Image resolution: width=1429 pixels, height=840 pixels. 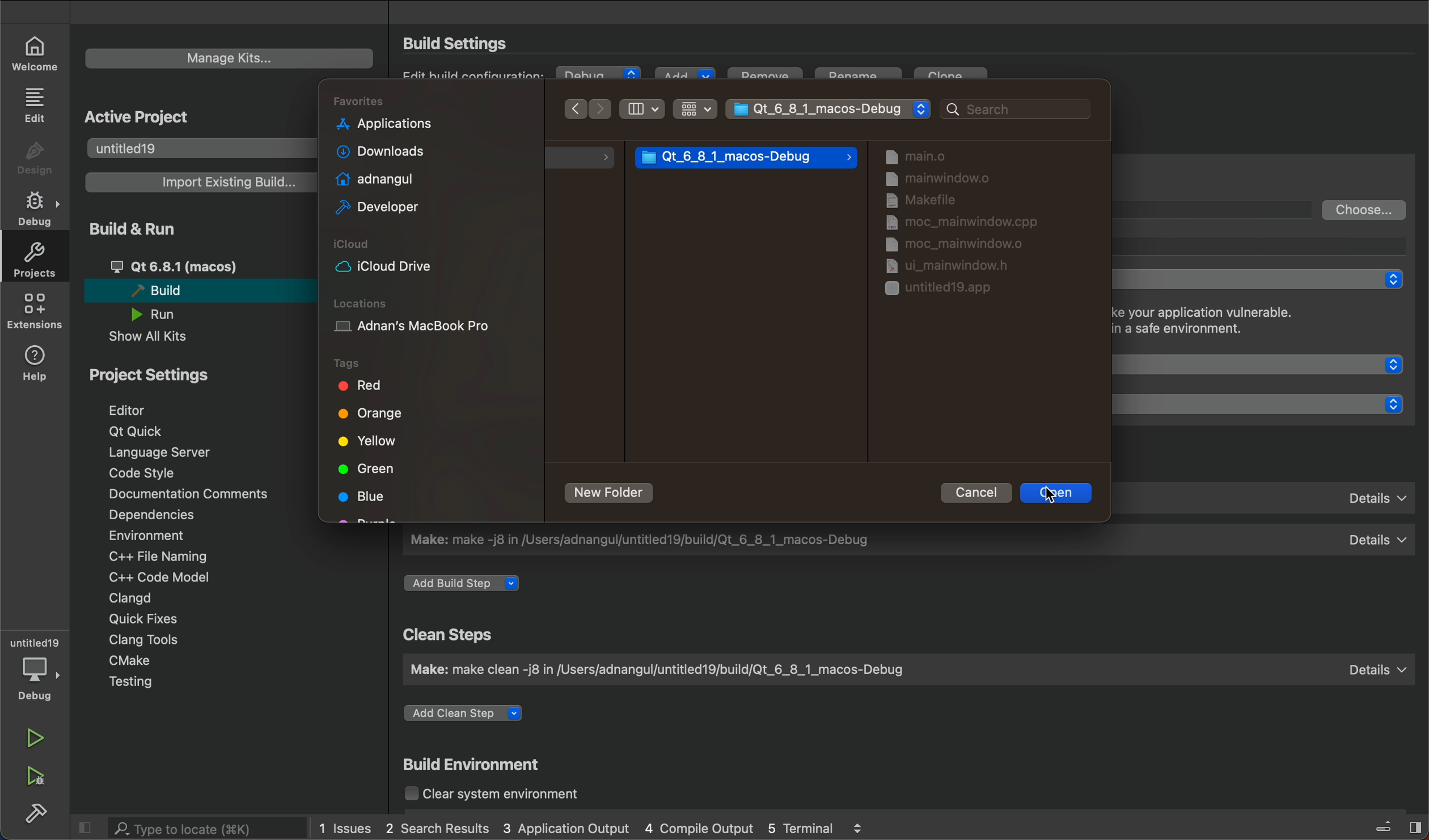 What do you see at coordinates (905, 669) in the screenshot?
I see `make` at bounding box center [905, 669].